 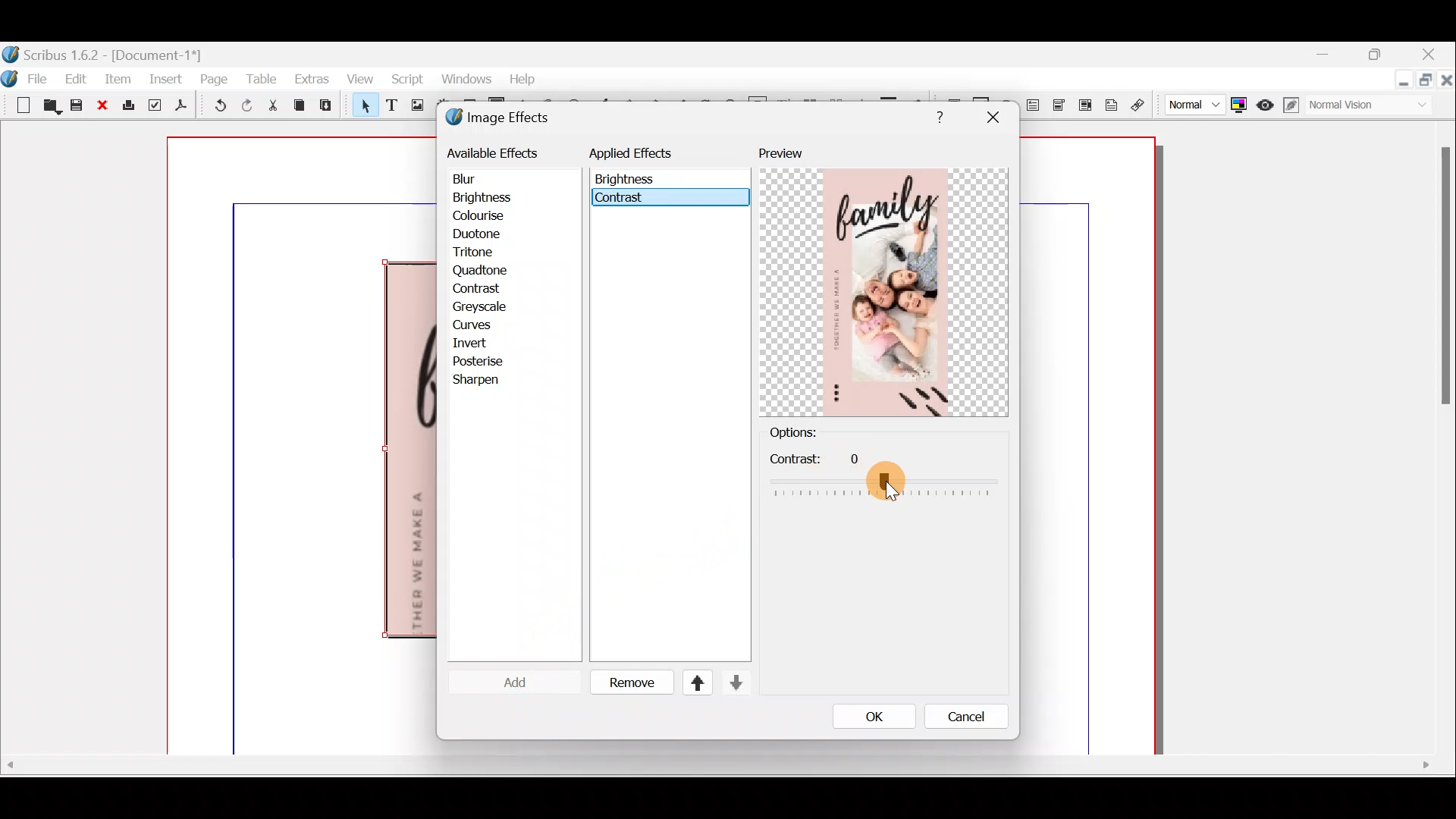 I want to click on PDF combo box, so click(x=1060, y=105).